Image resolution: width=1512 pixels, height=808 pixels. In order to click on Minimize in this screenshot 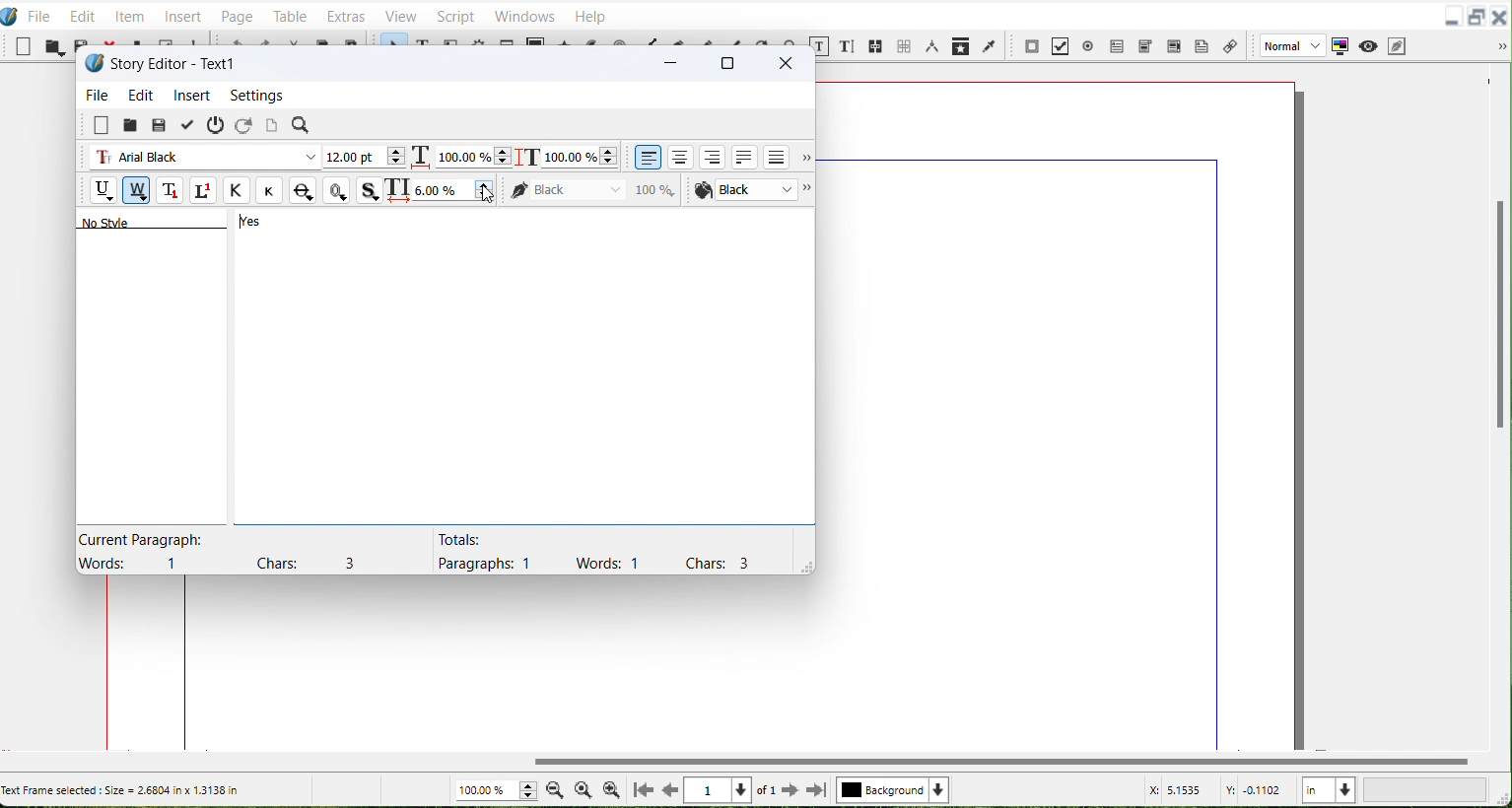, I will do `click(1452, 16)`.